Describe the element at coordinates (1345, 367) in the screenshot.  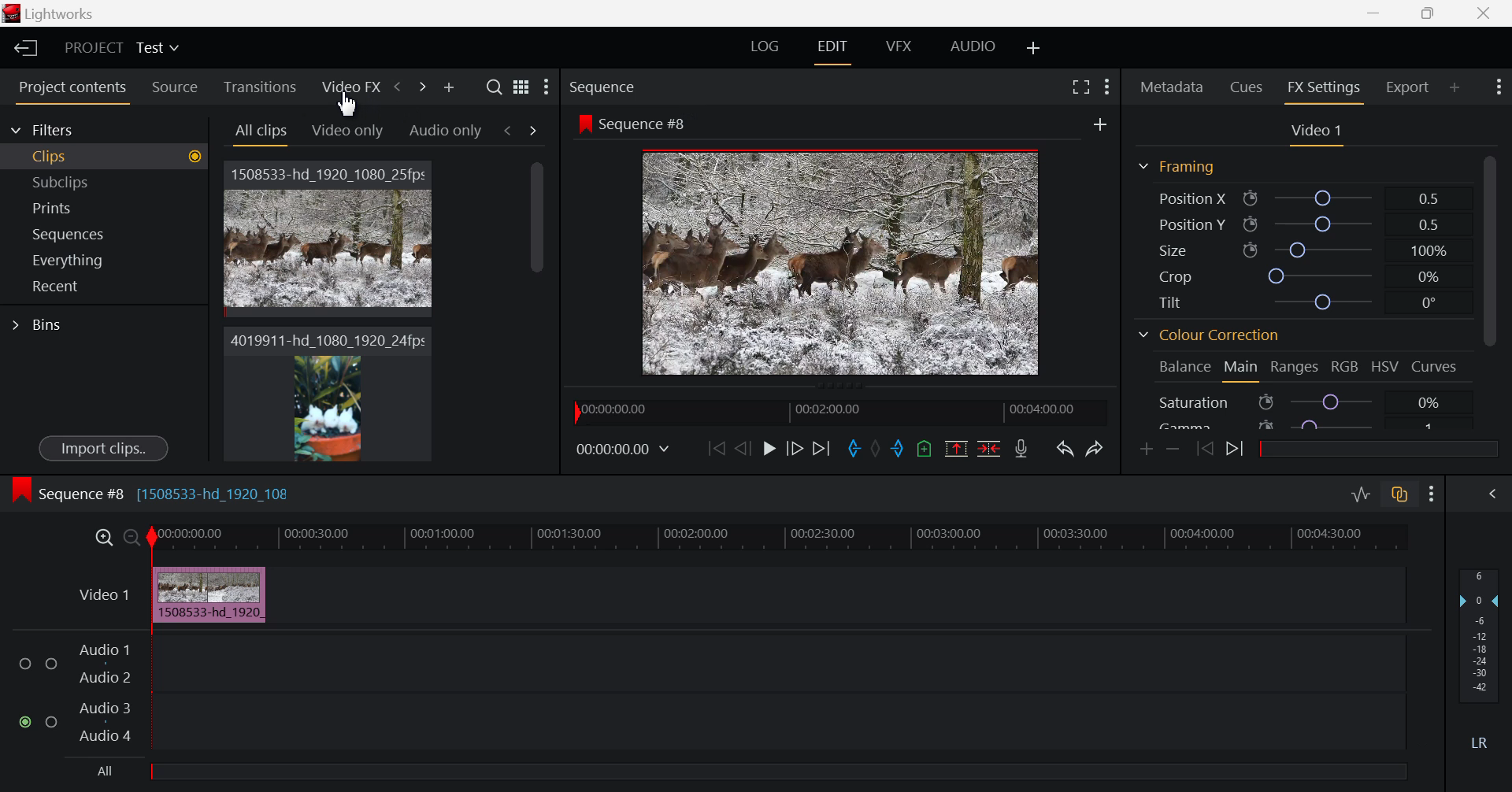
I see `RGB` at that location.